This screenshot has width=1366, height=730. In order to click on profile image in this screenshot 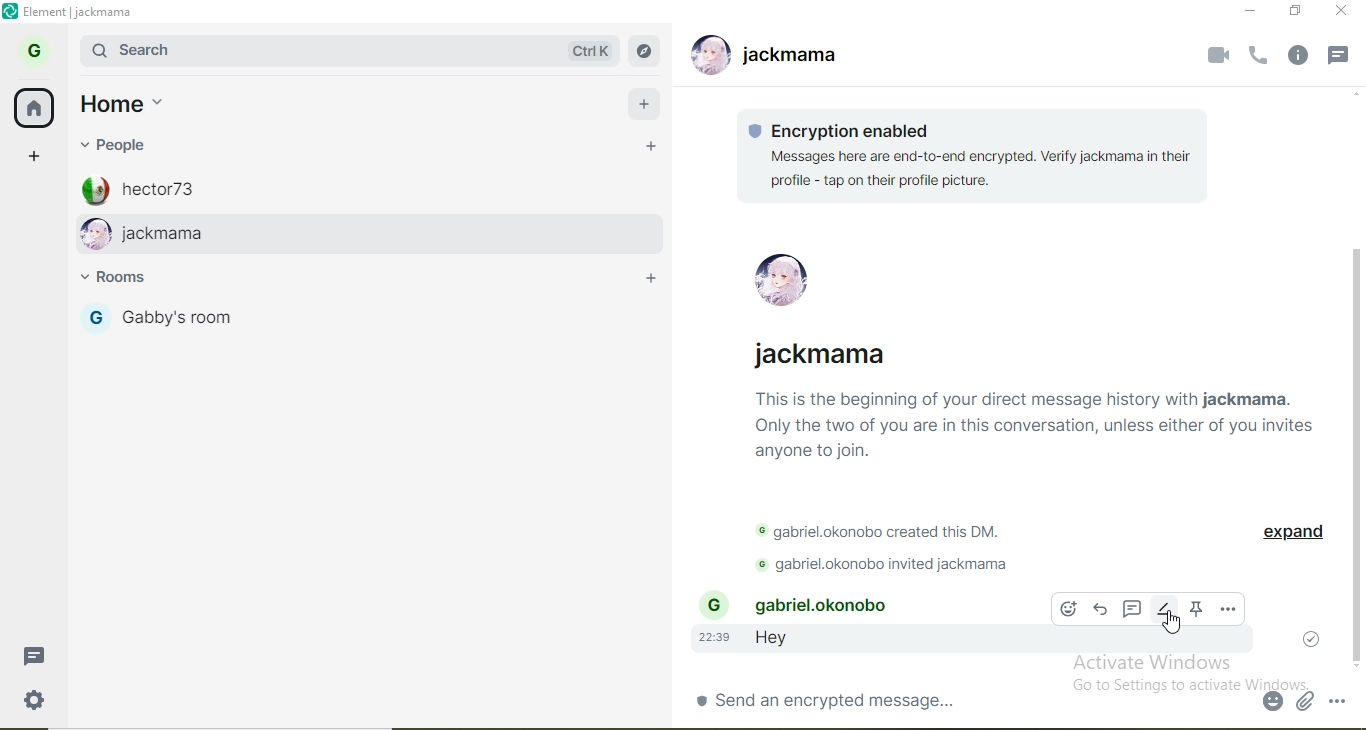, I will do `click(710, 52)`.